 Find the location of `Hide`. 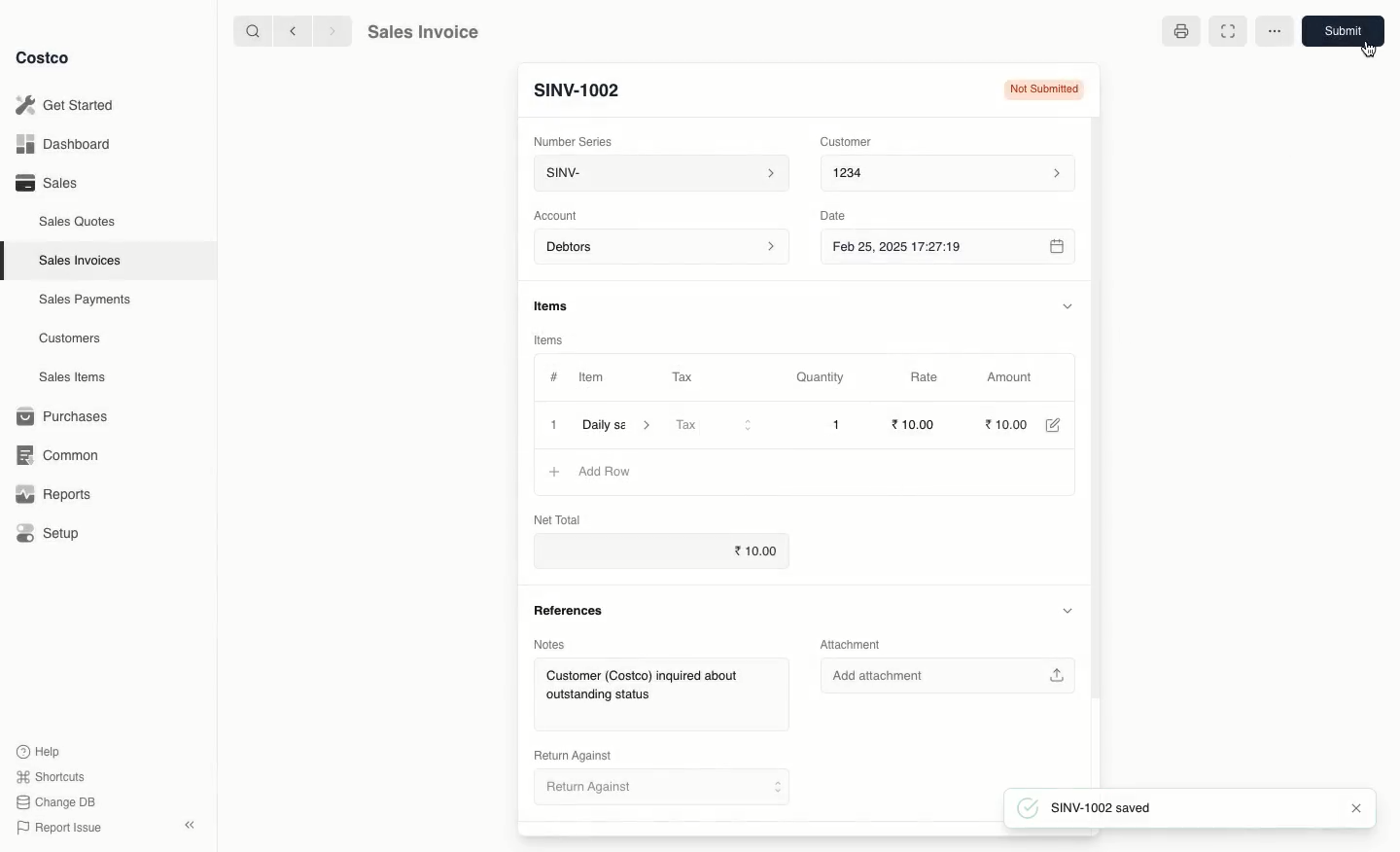

Hide is located at coordinates (1069, 305).